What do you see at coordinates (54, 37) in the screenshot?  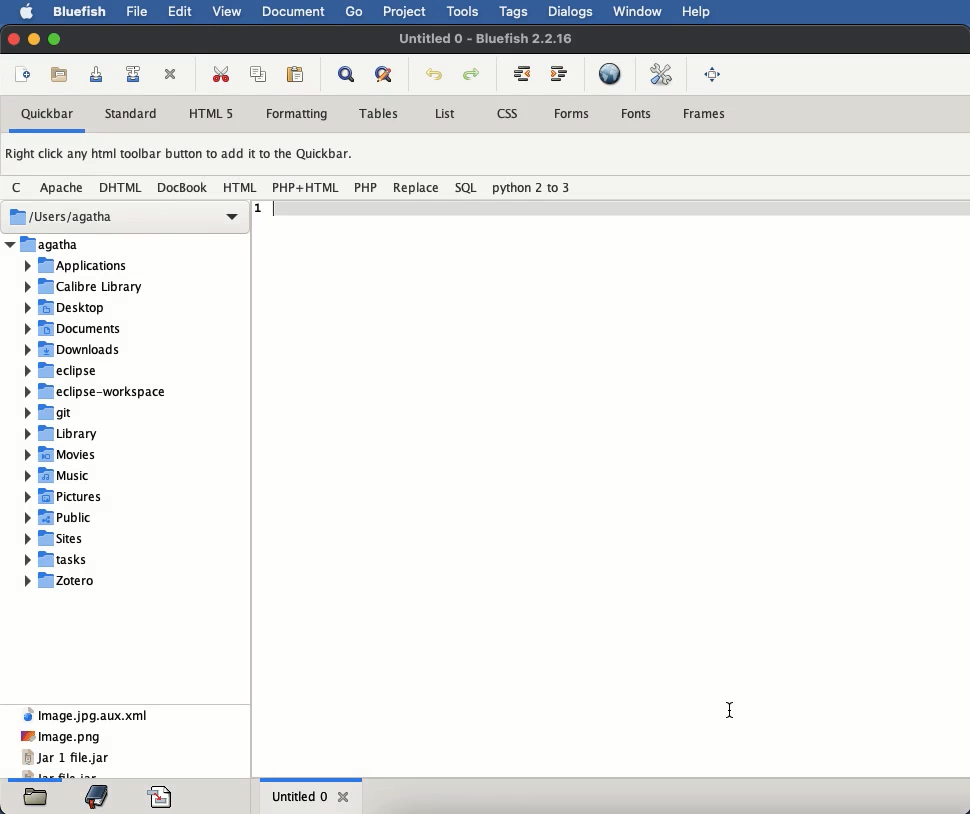 I see `maximize` at bounding box center [54, 37].